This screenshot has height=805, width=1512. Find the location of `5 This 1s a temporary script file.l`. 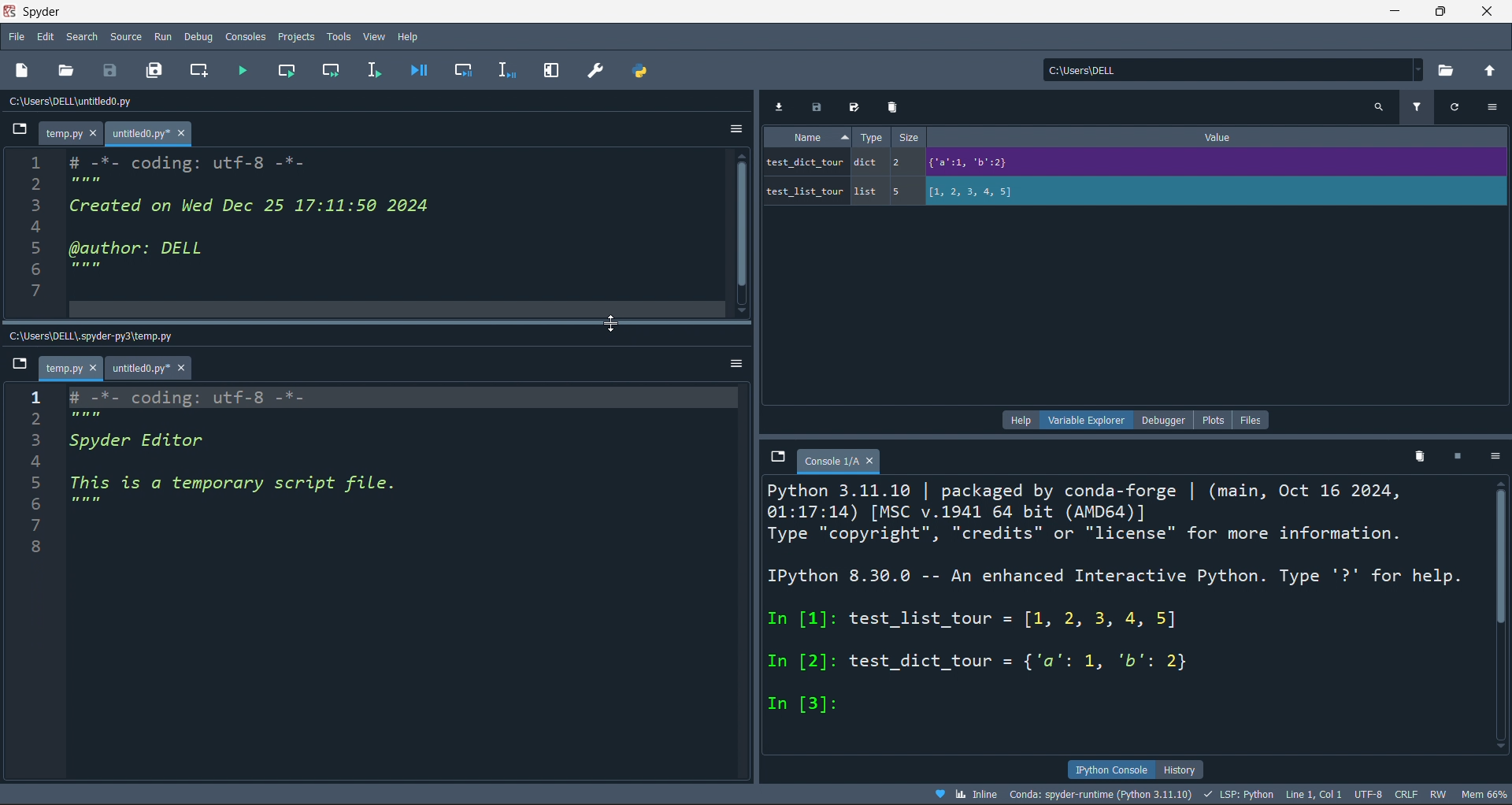

5 This 1s a temporary script file.l is located at coordinates (243, 486).